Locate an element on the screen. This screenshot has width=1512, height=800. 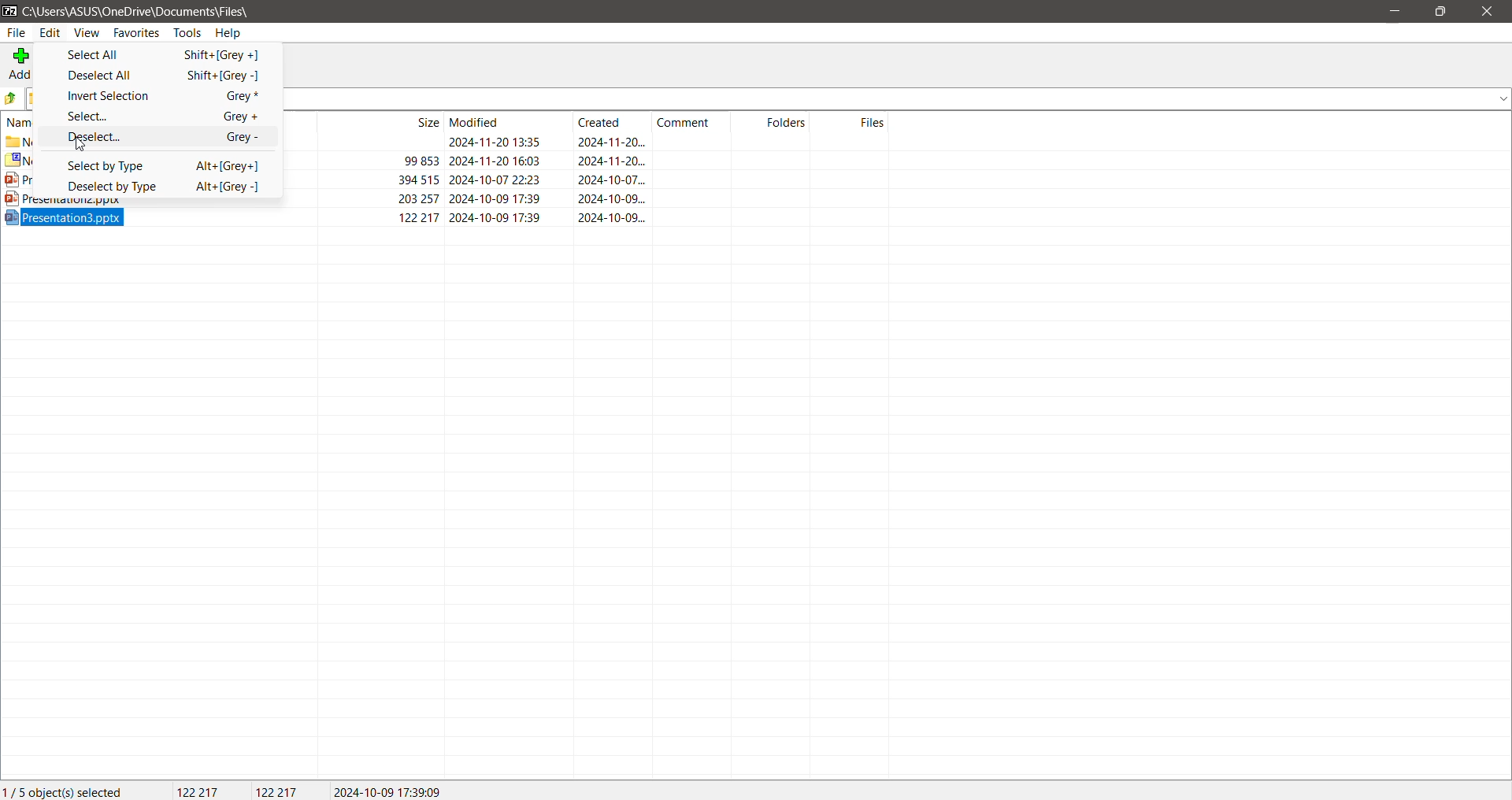
add is located at coordinates (20, 65).